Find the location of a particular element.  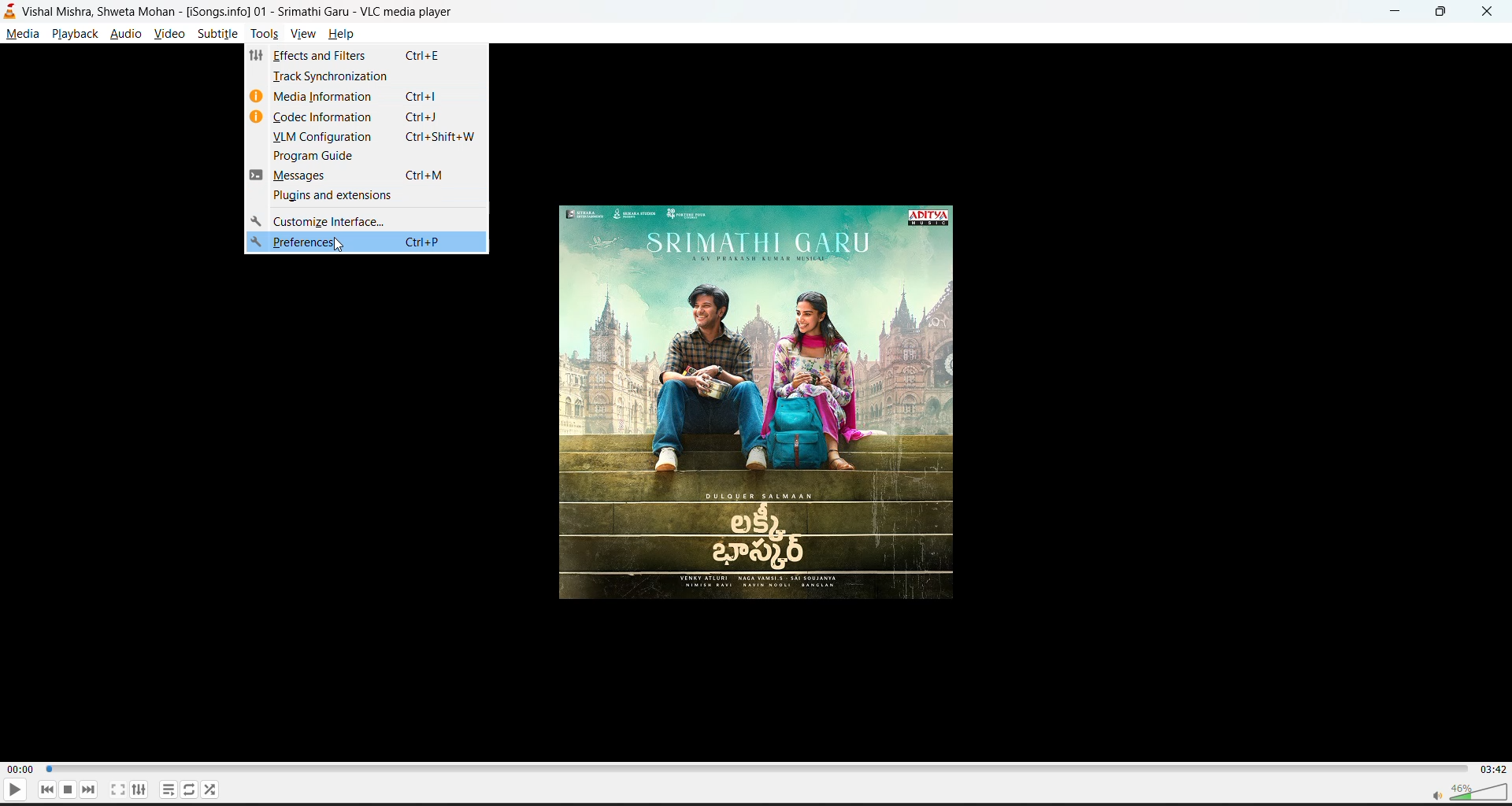

media information is located at coordinates (366, 96).